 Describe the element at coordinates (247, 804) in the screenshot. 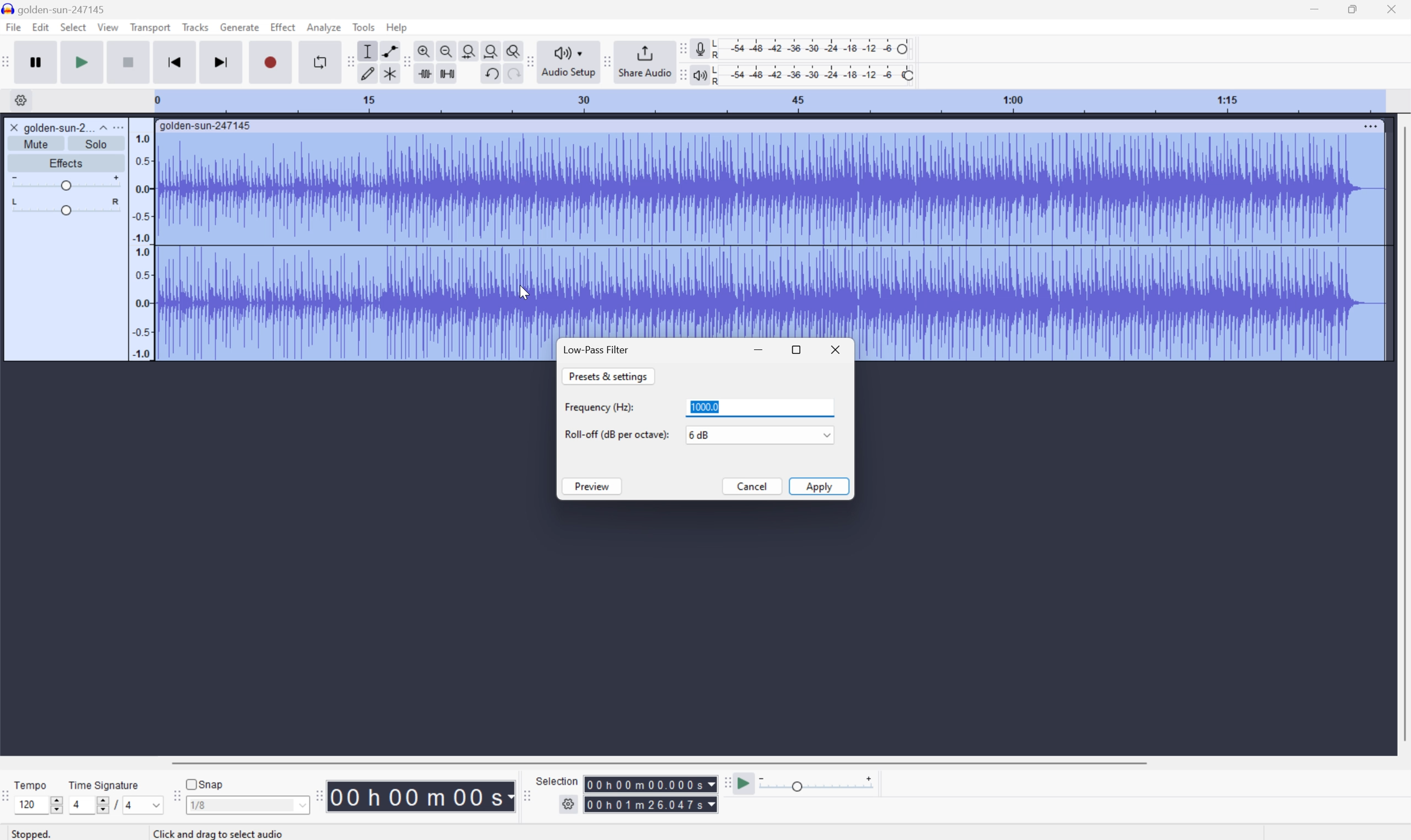

I see `1/8` at that location.